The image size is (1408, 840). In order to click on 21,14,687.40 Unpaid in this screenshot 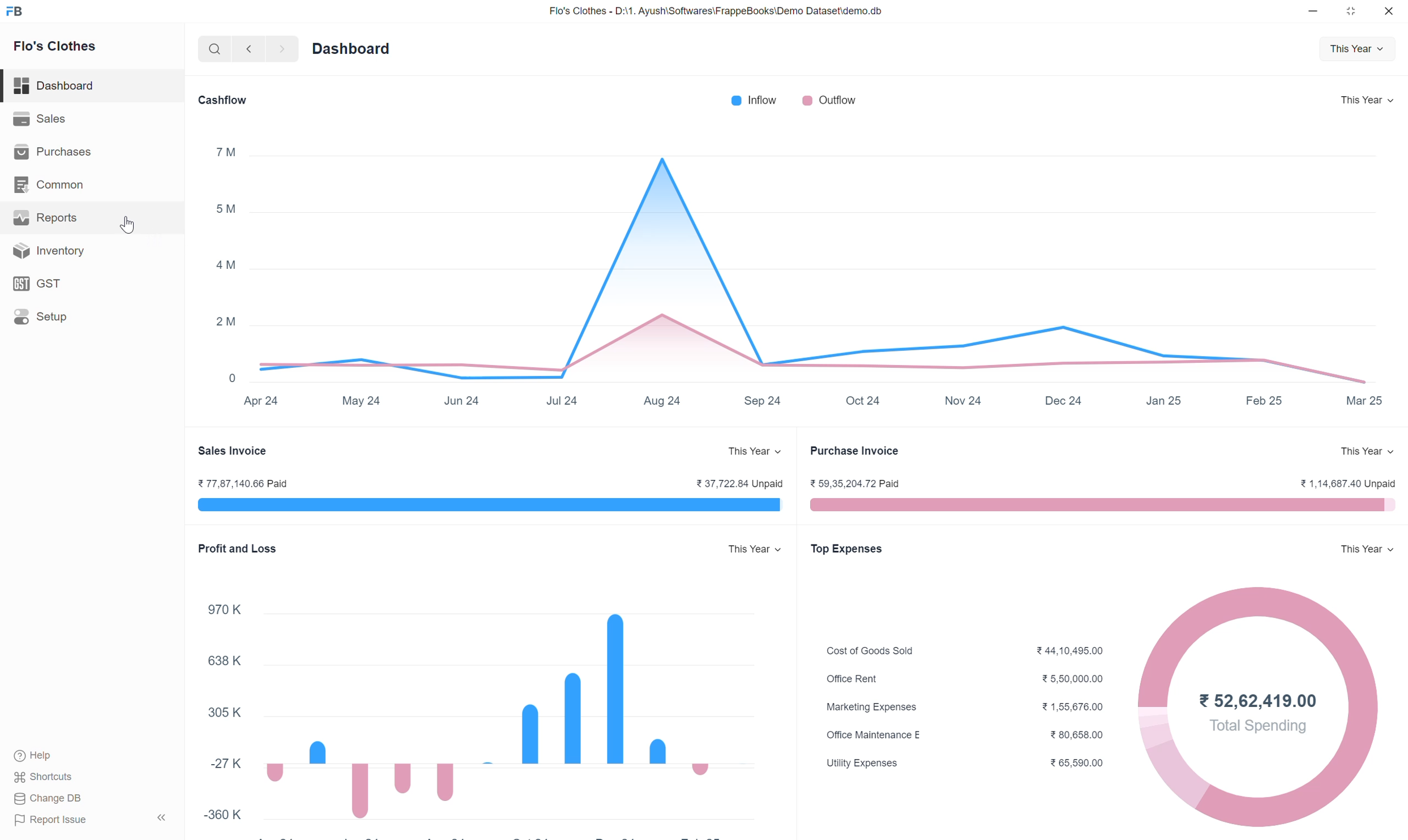, I will do `click(1340, 485)`.